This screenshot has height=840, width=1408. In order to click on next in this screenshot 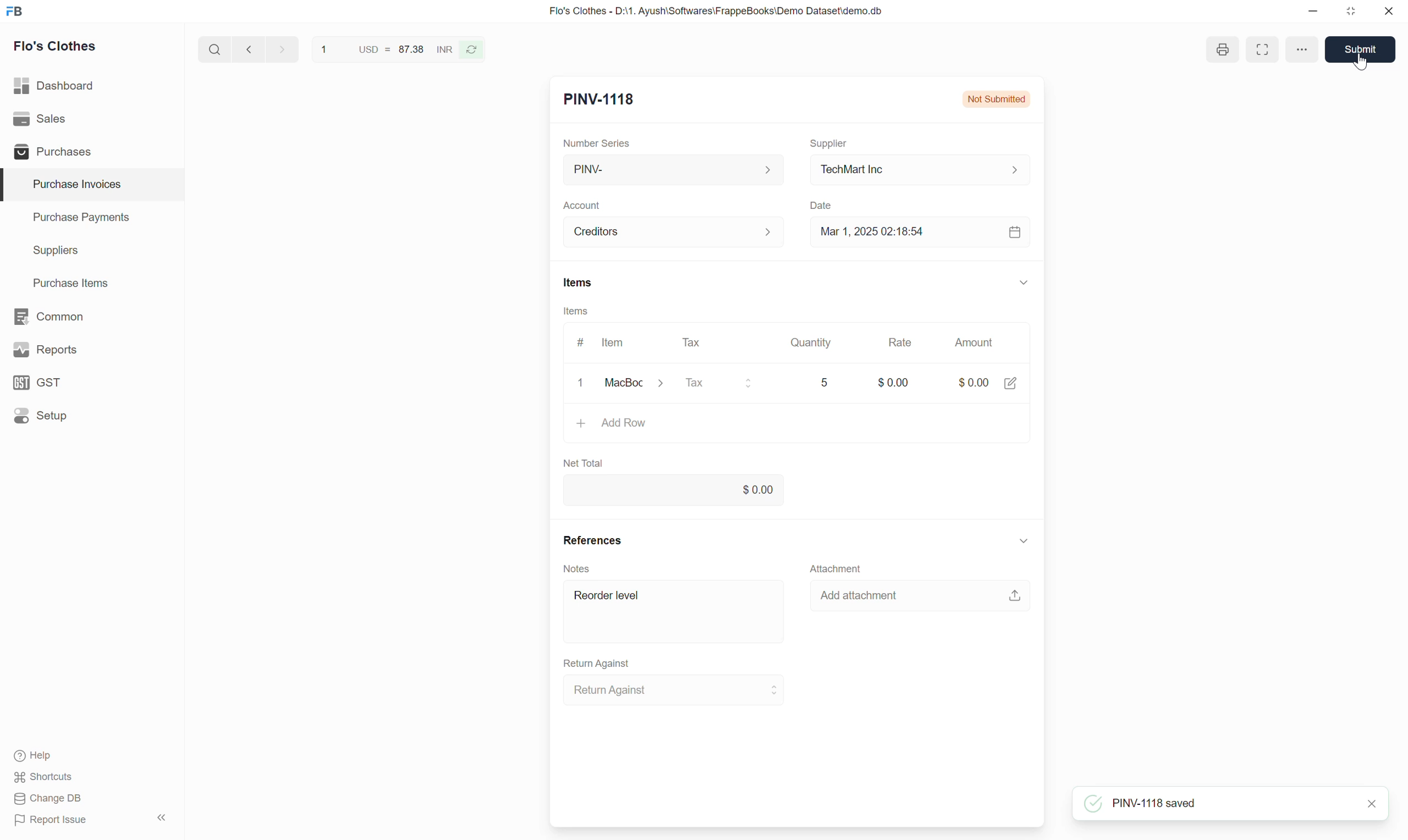, I will do `click(284, 49)`.